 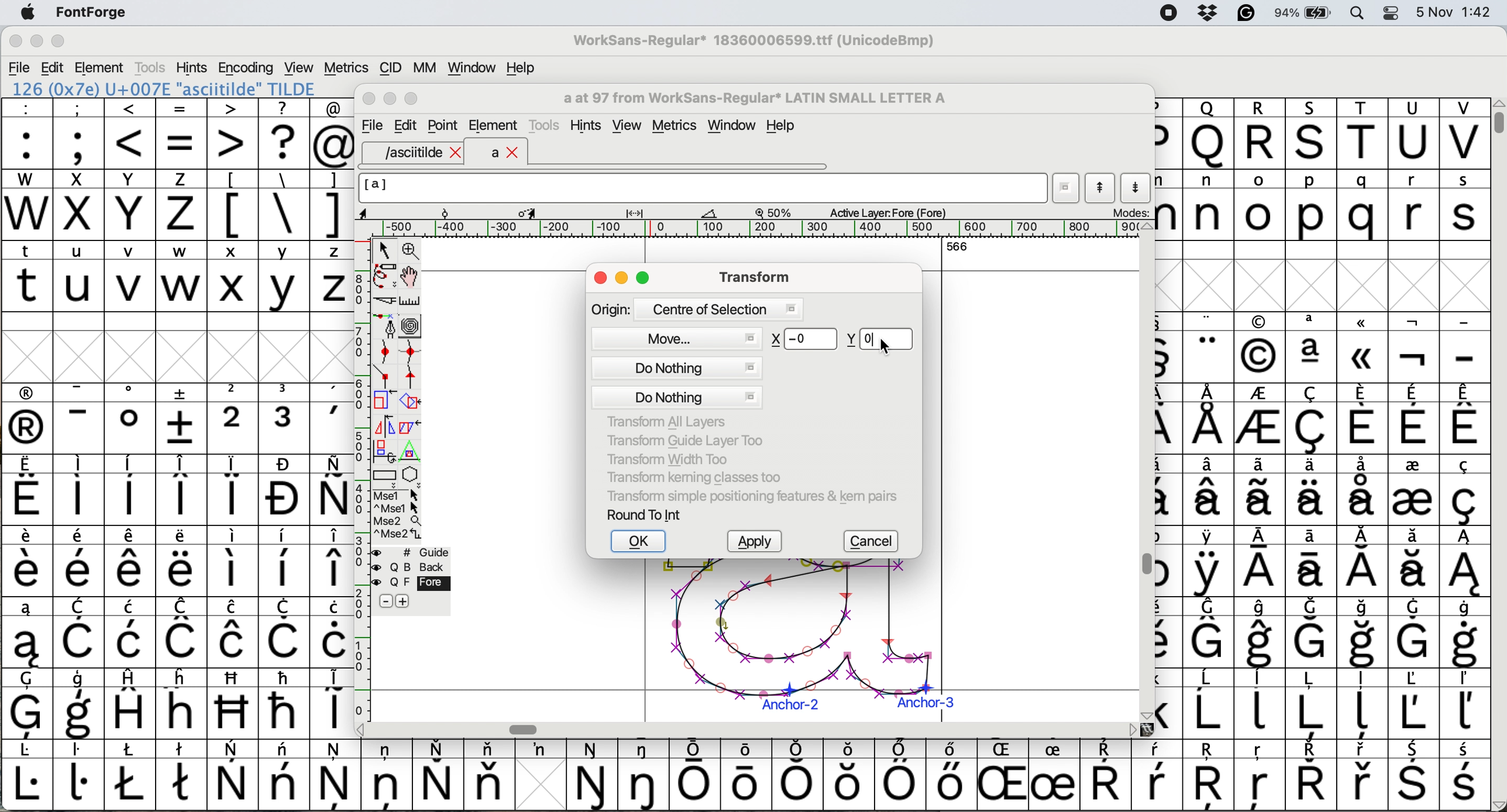 What do you see at coordinates (885, 347) in the screenshot?
I see `cursor` at bounding box center [885, 347].